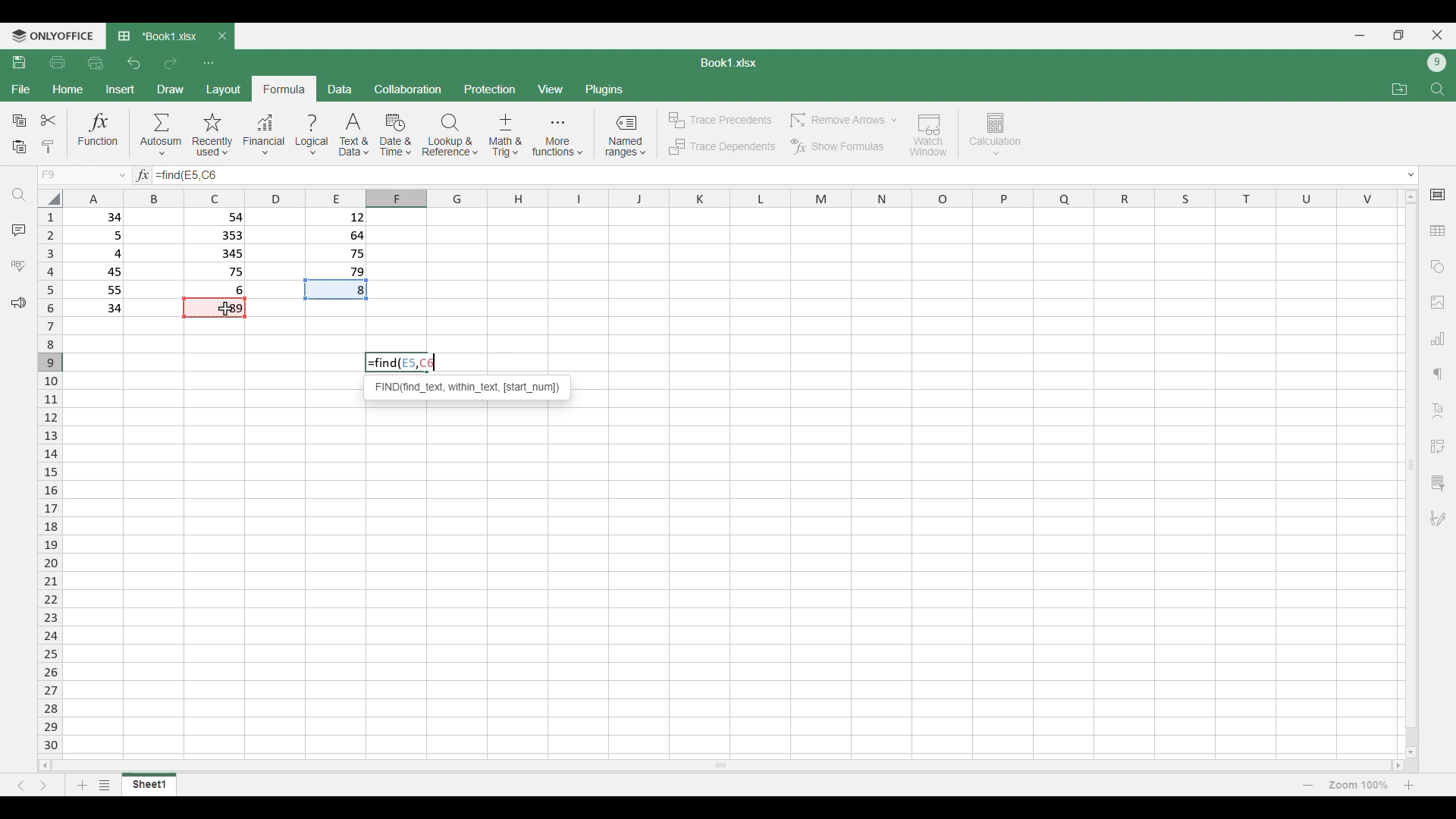  I want to click on Type in equation, so click(803, 175).